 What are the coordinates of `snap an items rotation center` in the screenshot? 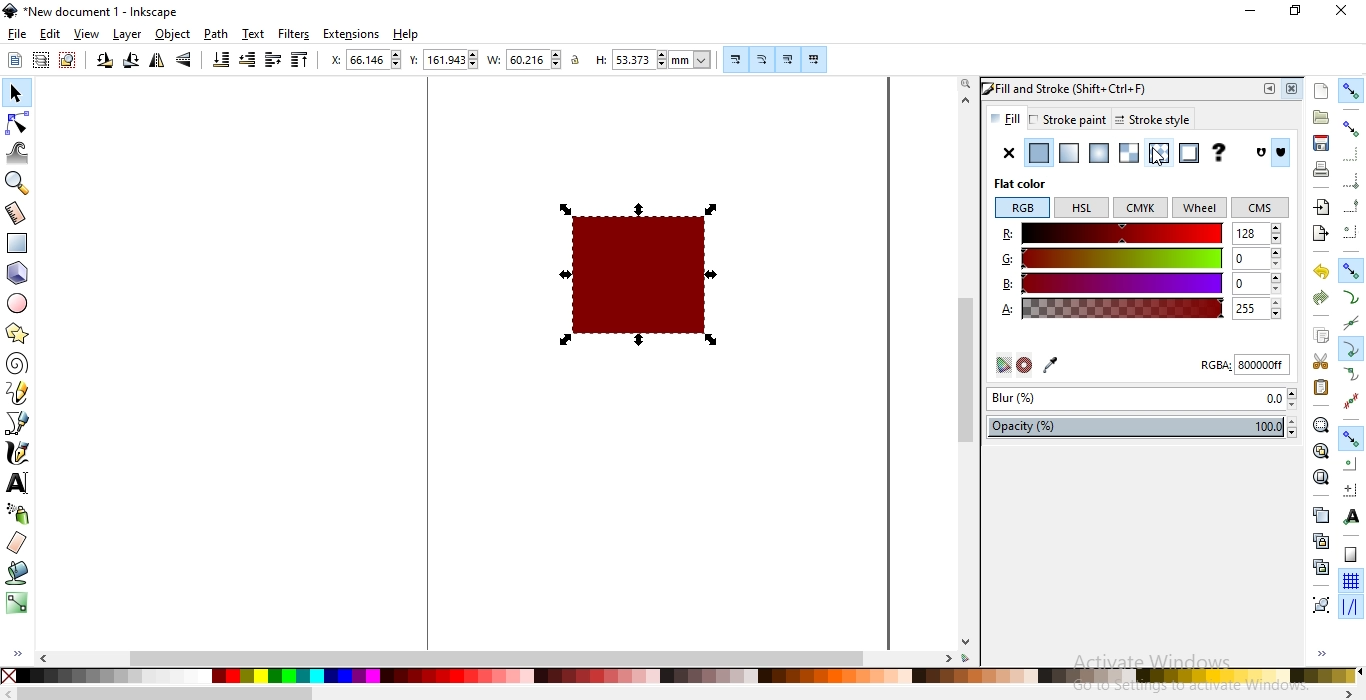 It's located at (1349, 487).